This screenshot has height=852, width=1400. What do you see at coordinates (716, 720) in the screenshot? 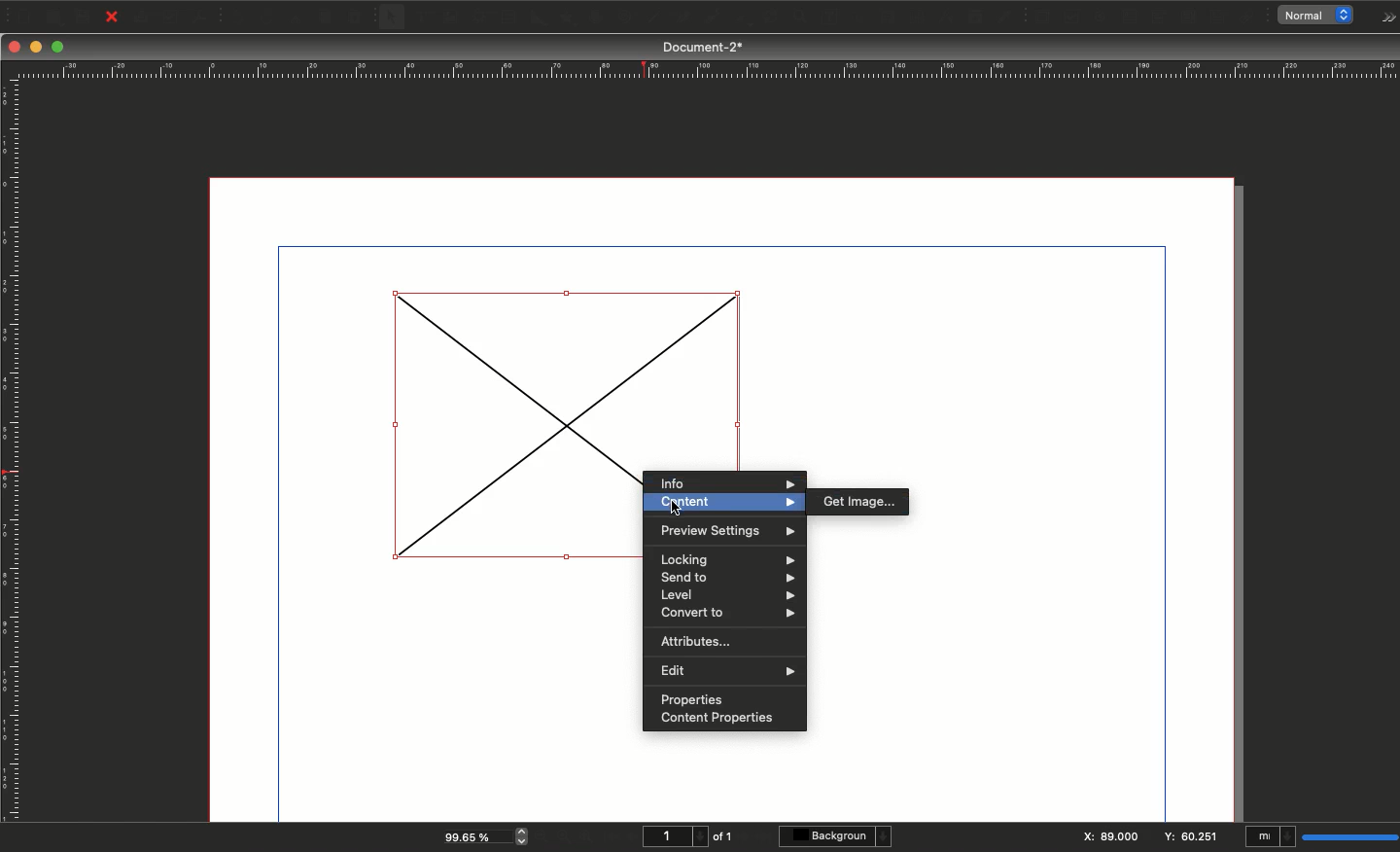
I see `Content properties` at bounding box center [716, 720].